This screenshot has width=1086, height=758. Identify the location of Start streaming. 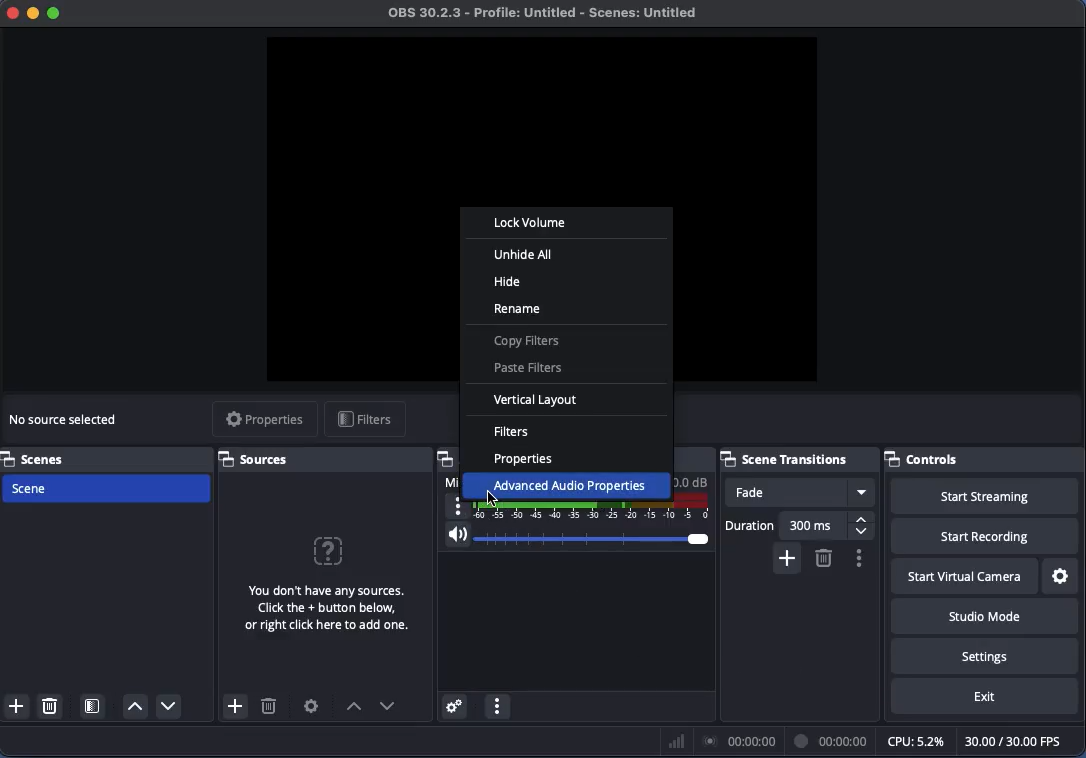
(990, 497).